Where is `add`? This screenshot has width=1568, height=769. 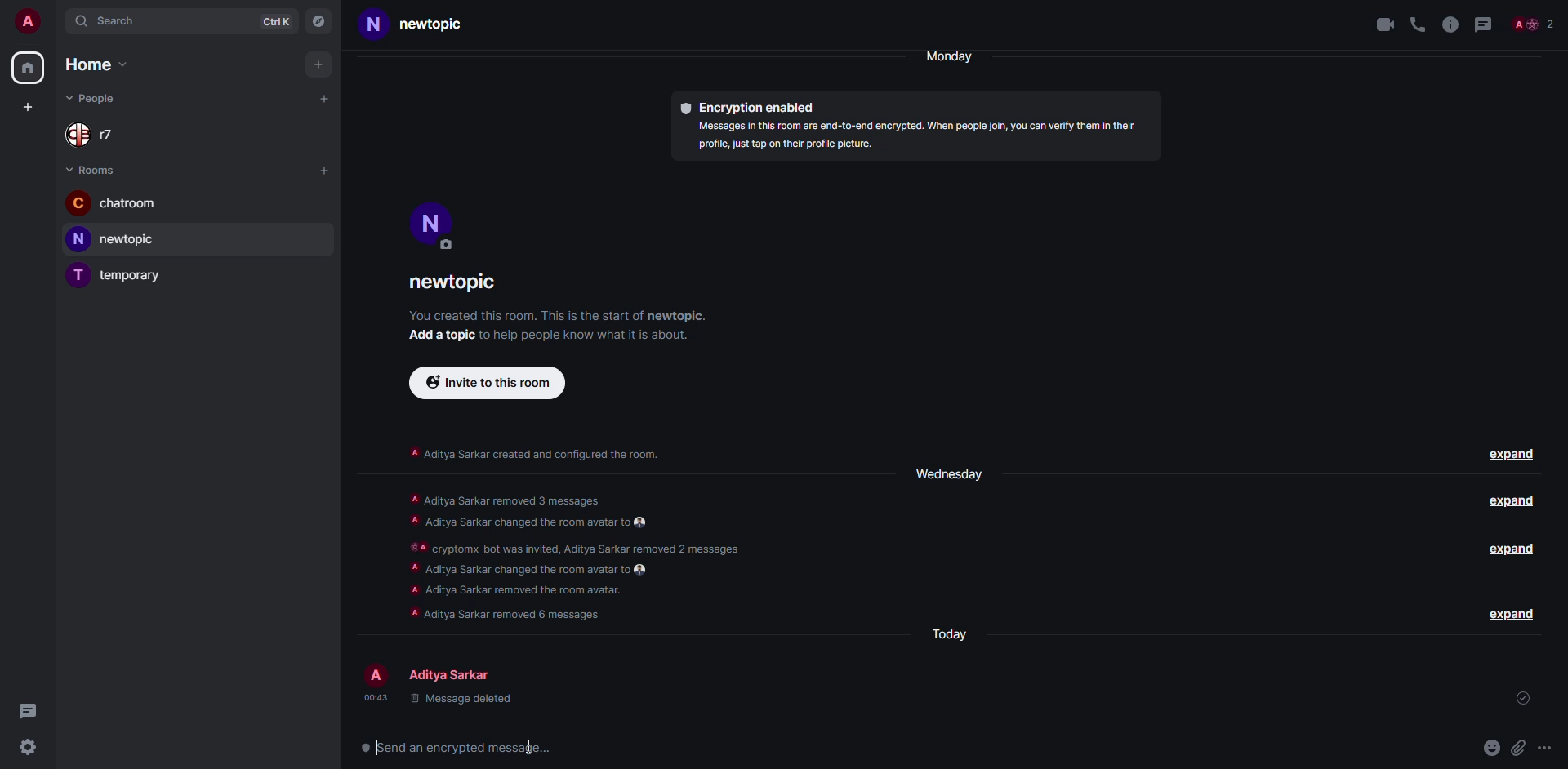 add is located at coordinates (324, 100).